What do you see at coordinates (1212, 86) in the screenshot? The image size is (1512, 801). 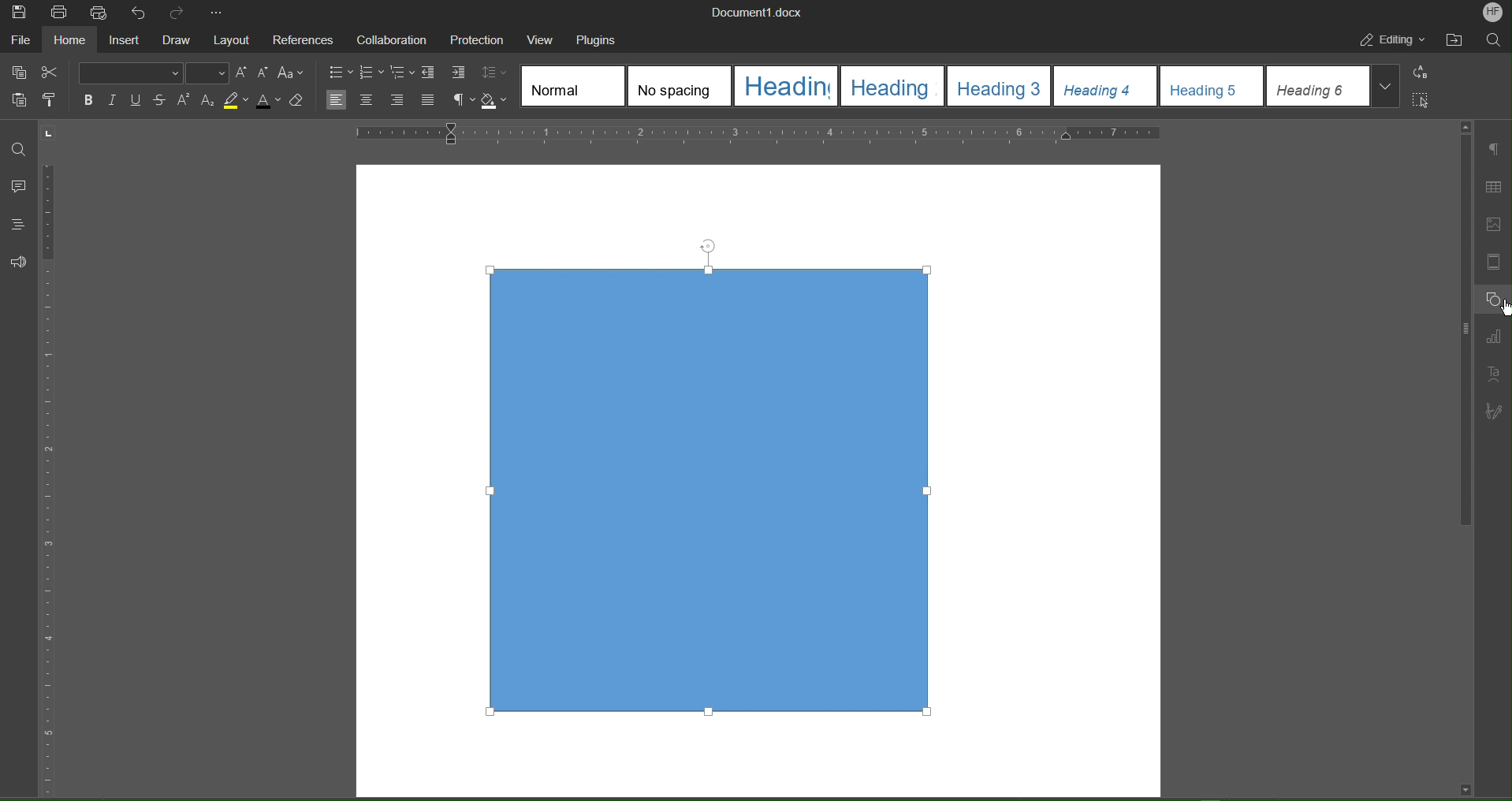 I see `Heading 5` at bounding box center [1212, 86].